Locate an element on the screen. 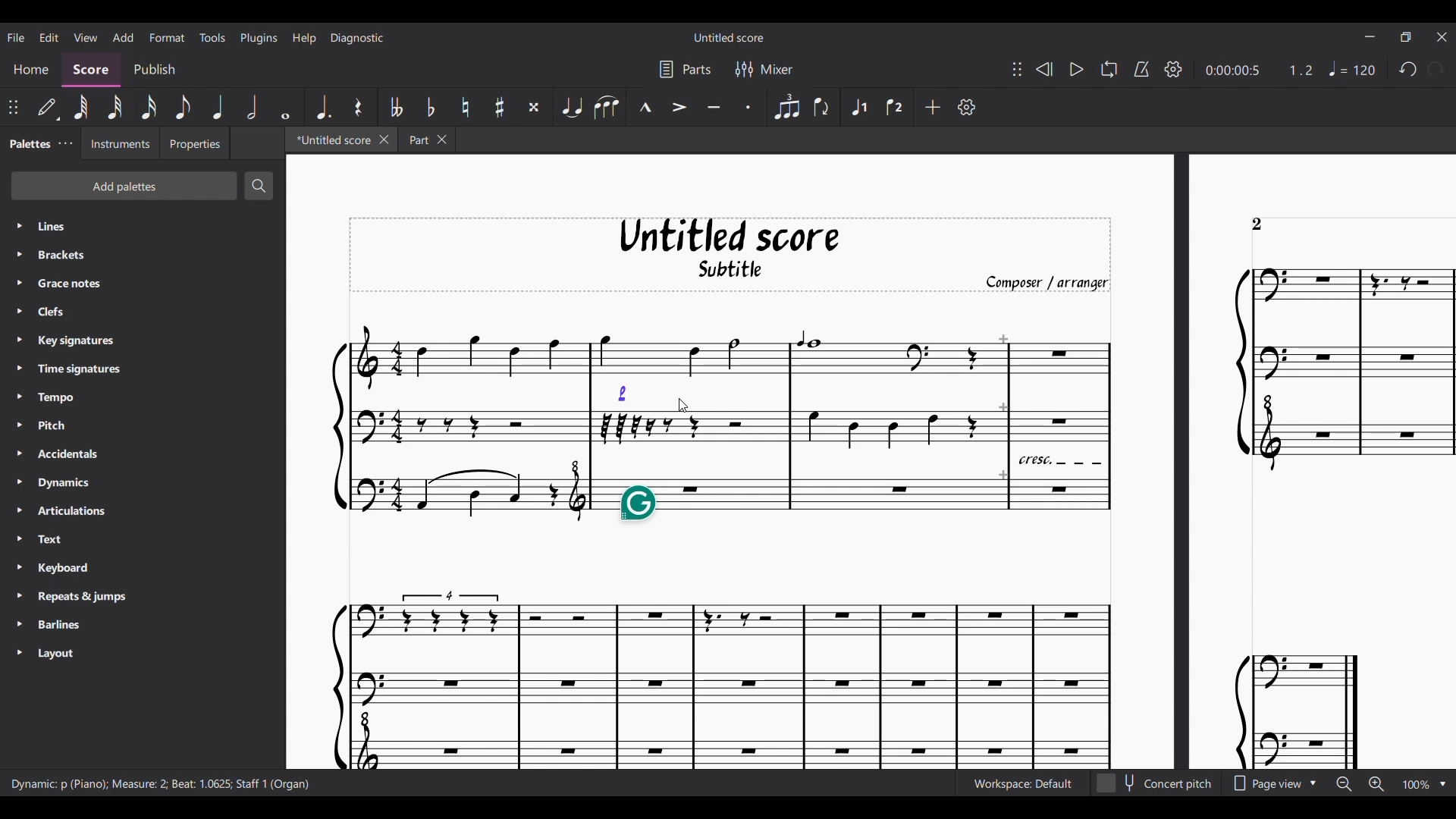  Toggle sharp is located at coordinates (500, 107).